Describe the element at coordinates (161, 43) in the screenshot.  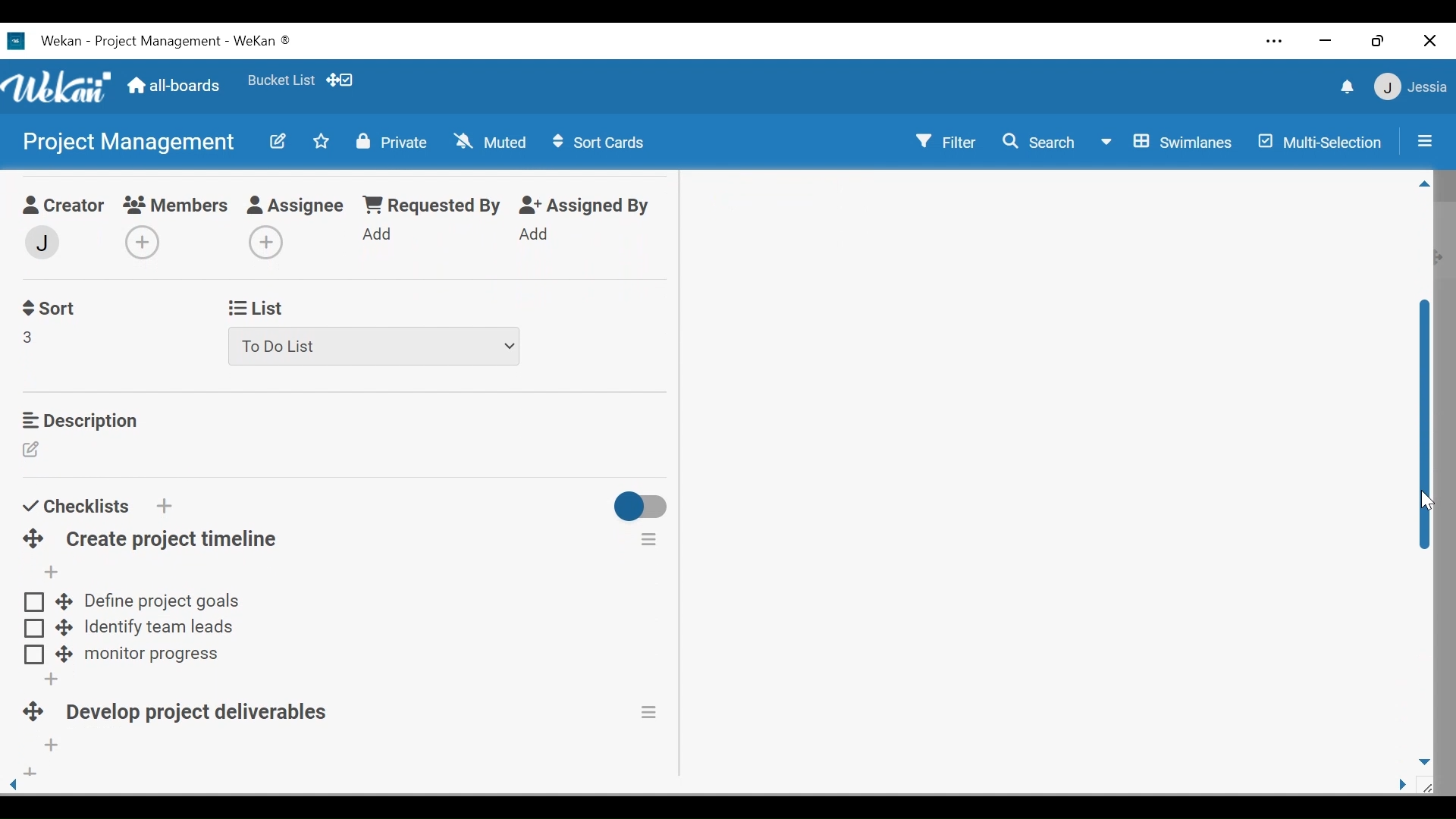
I see `Wekan Desktop icon` at that location.